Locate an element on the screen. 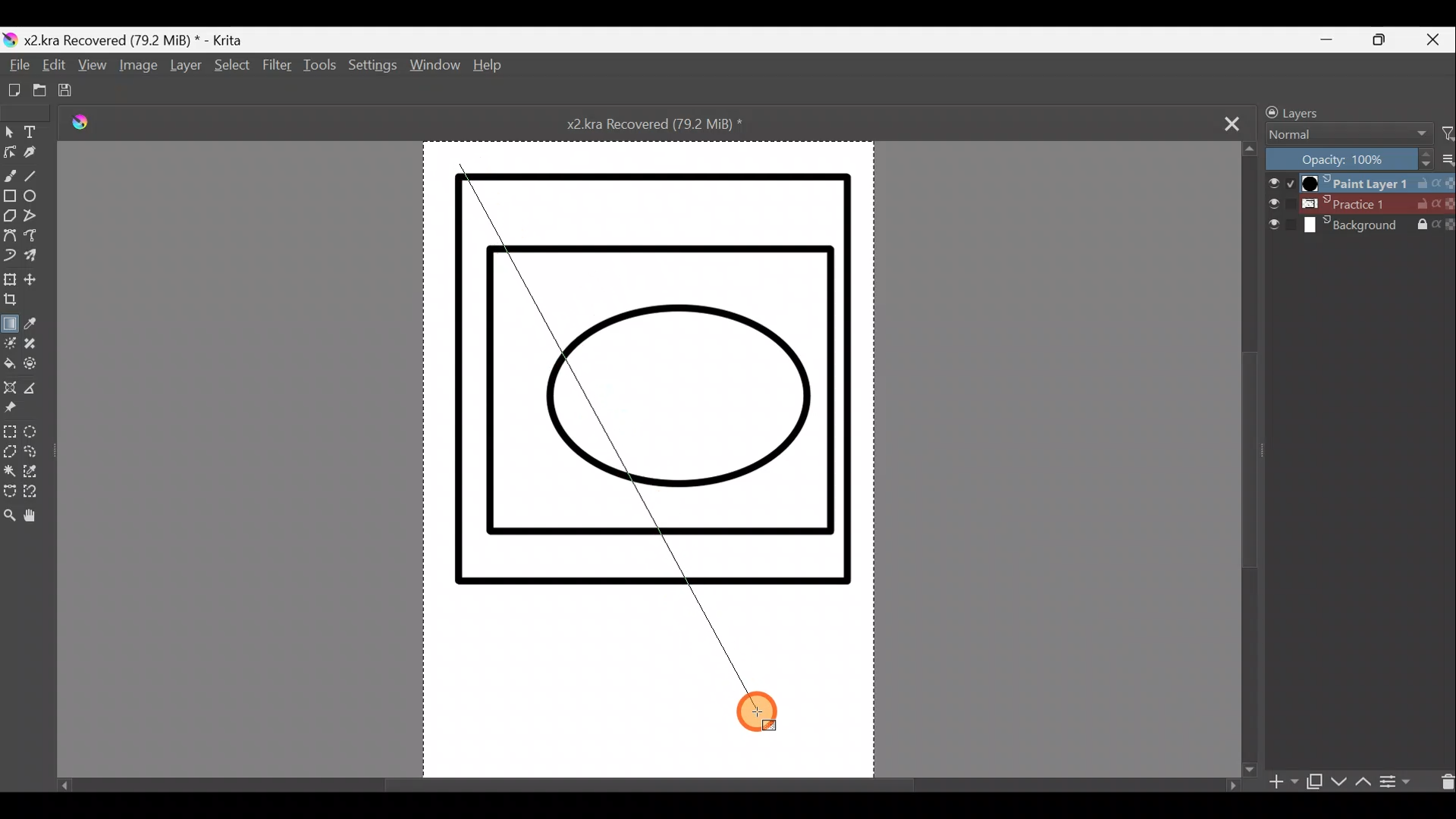 The image size is (1456, 819). Blending mode is located at coordinates (1343, 136).